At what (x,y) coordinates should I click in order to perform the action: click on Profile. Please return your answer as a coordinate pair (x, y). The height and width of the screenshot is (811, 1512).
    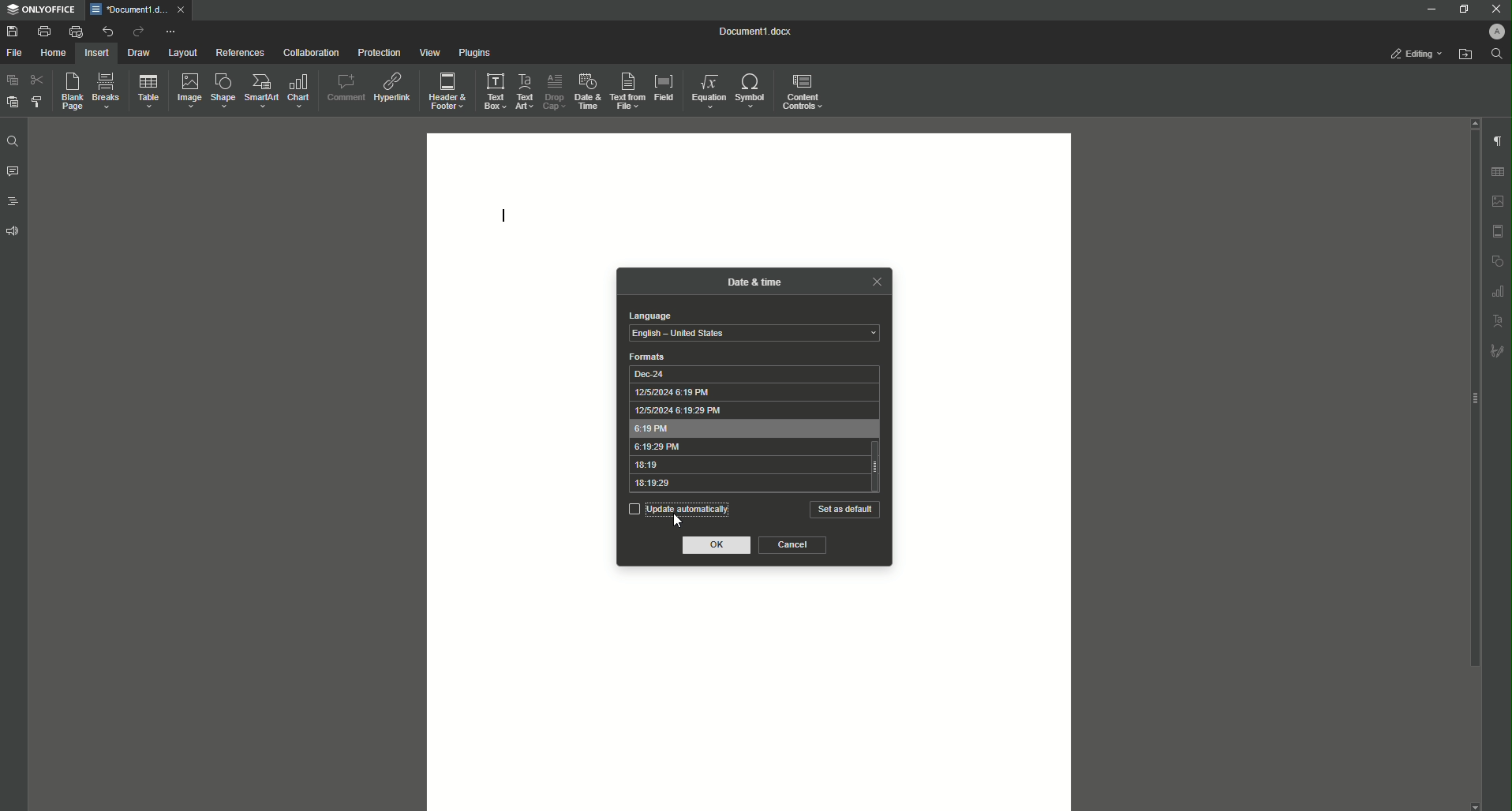
    Looking at the image, I should click on (1495, 31).